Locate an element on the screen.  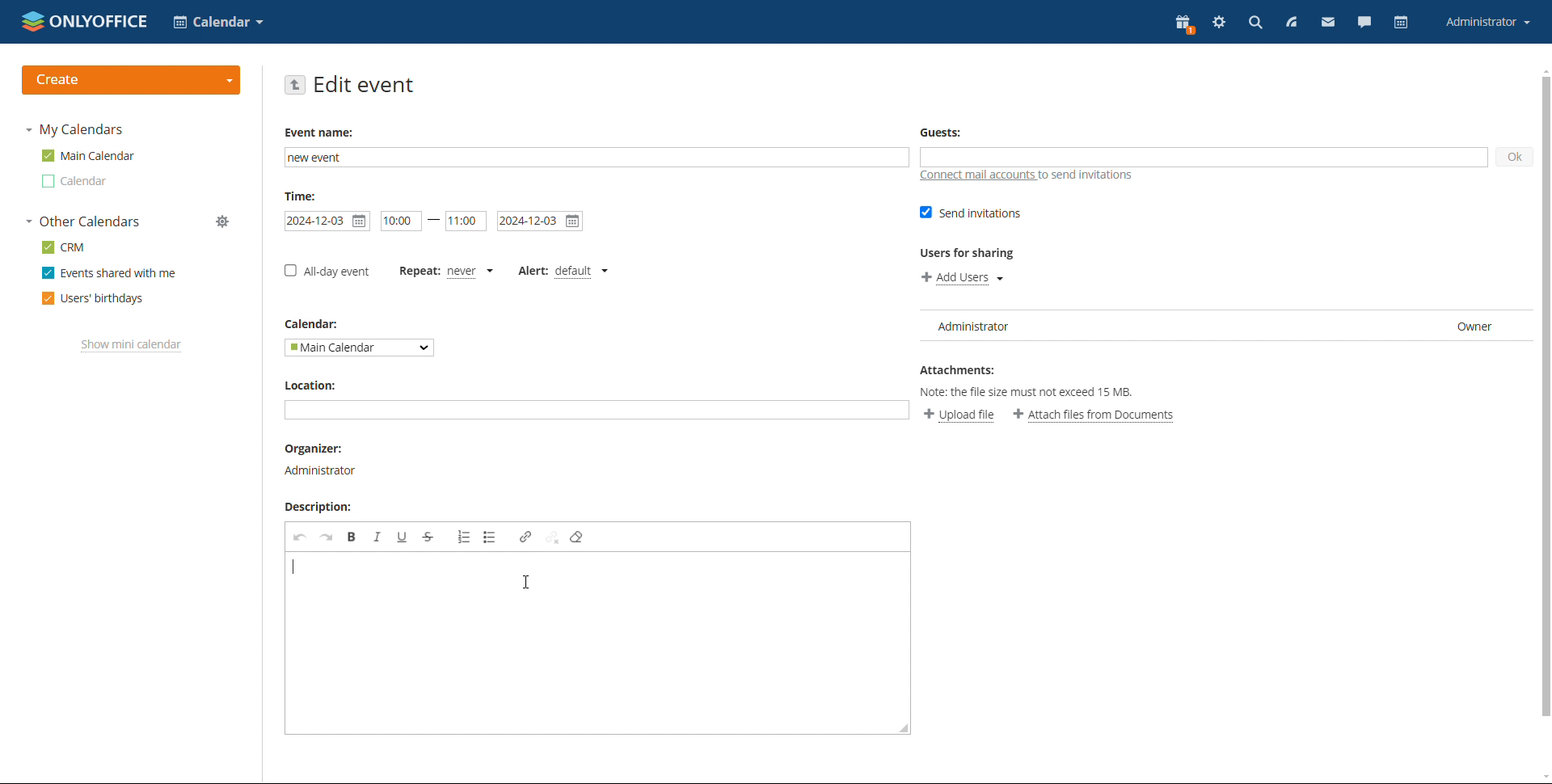
add location is located at coordinates (596, 410).